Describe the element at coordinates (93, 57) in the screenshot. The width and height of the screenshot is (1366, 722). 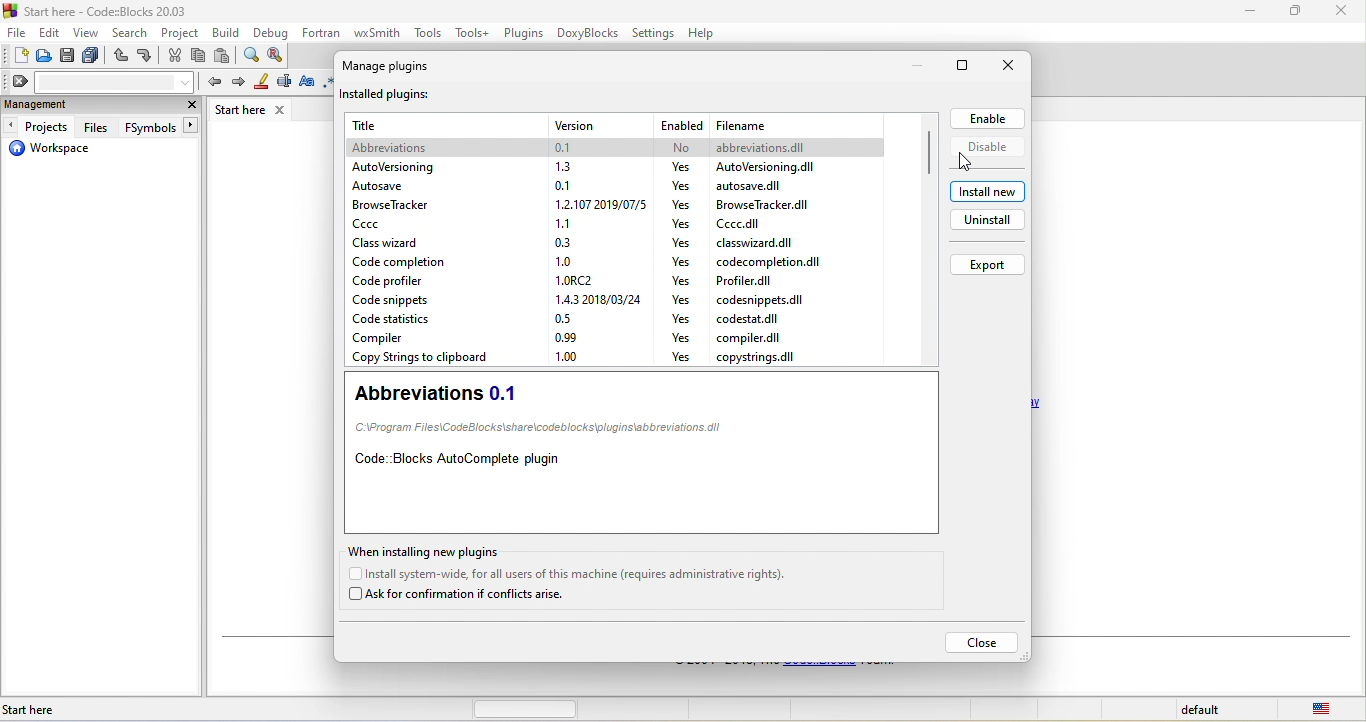
I see `save everything` at that location.